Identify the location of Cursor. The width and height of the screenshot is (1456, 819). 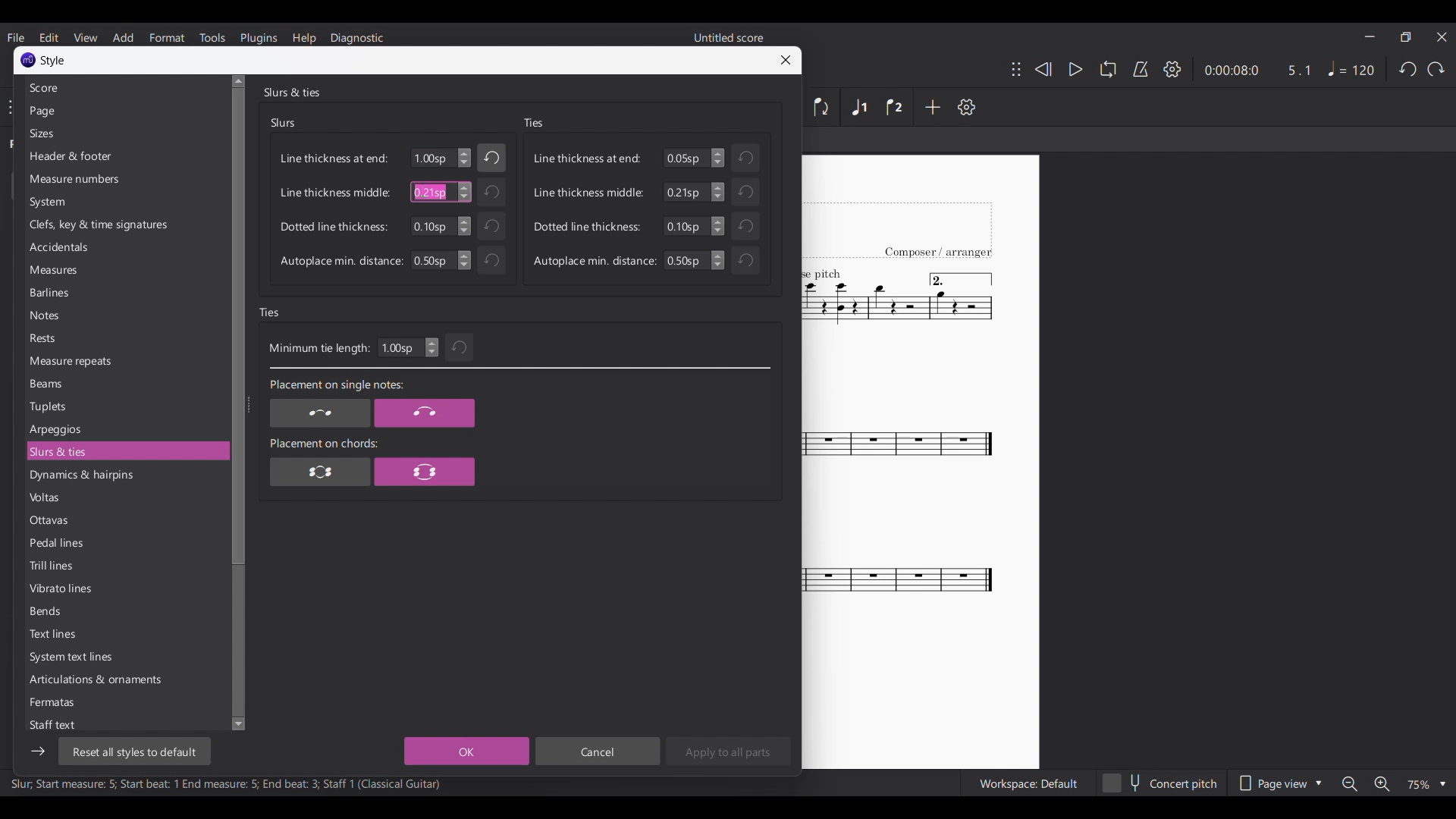
(424, 191).